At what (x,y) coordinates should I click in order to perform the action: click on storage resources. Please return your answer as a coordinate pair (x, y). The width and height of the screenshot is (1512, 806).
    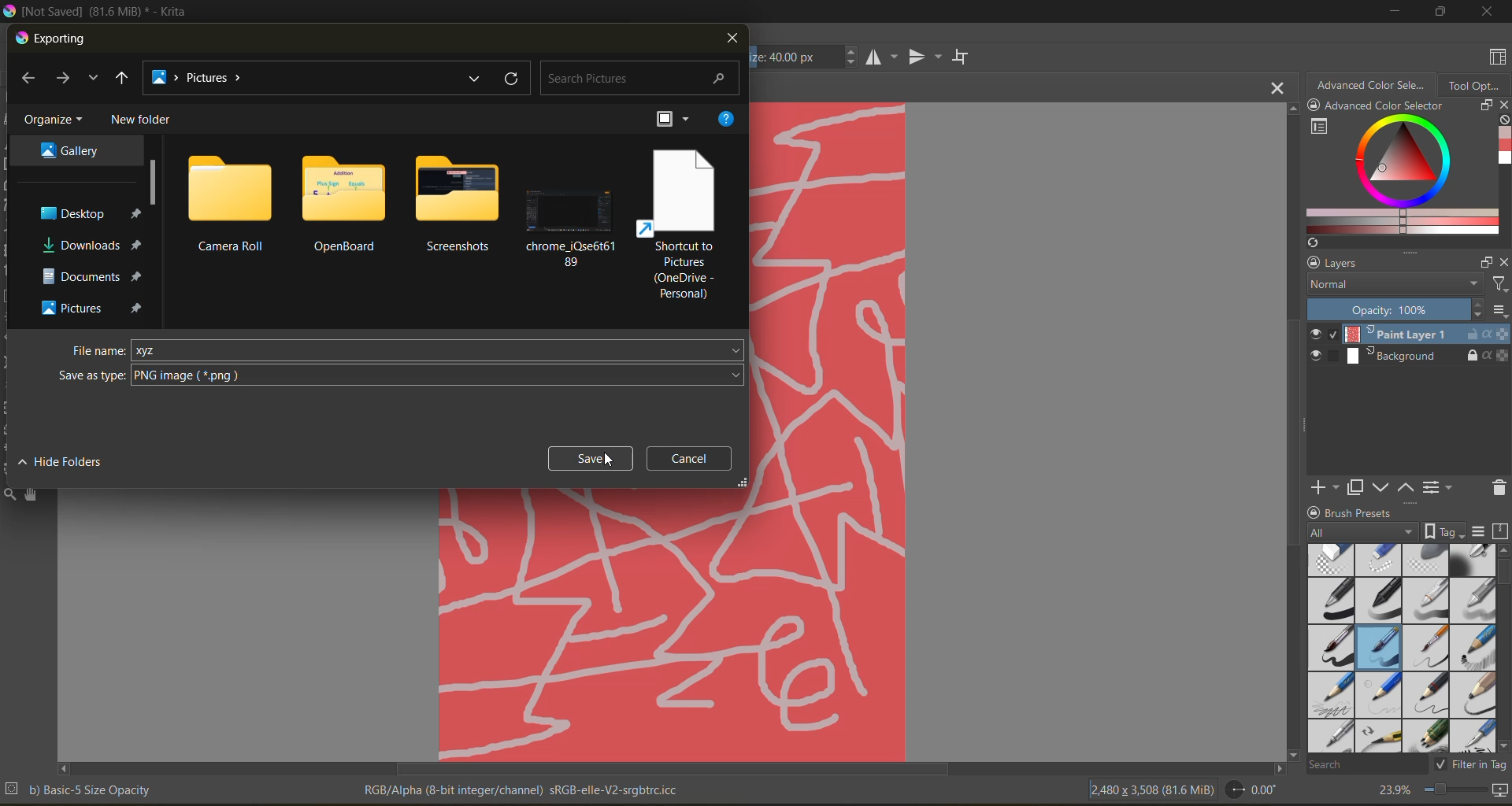
    Looking at the image, I should click on (1503, 532).